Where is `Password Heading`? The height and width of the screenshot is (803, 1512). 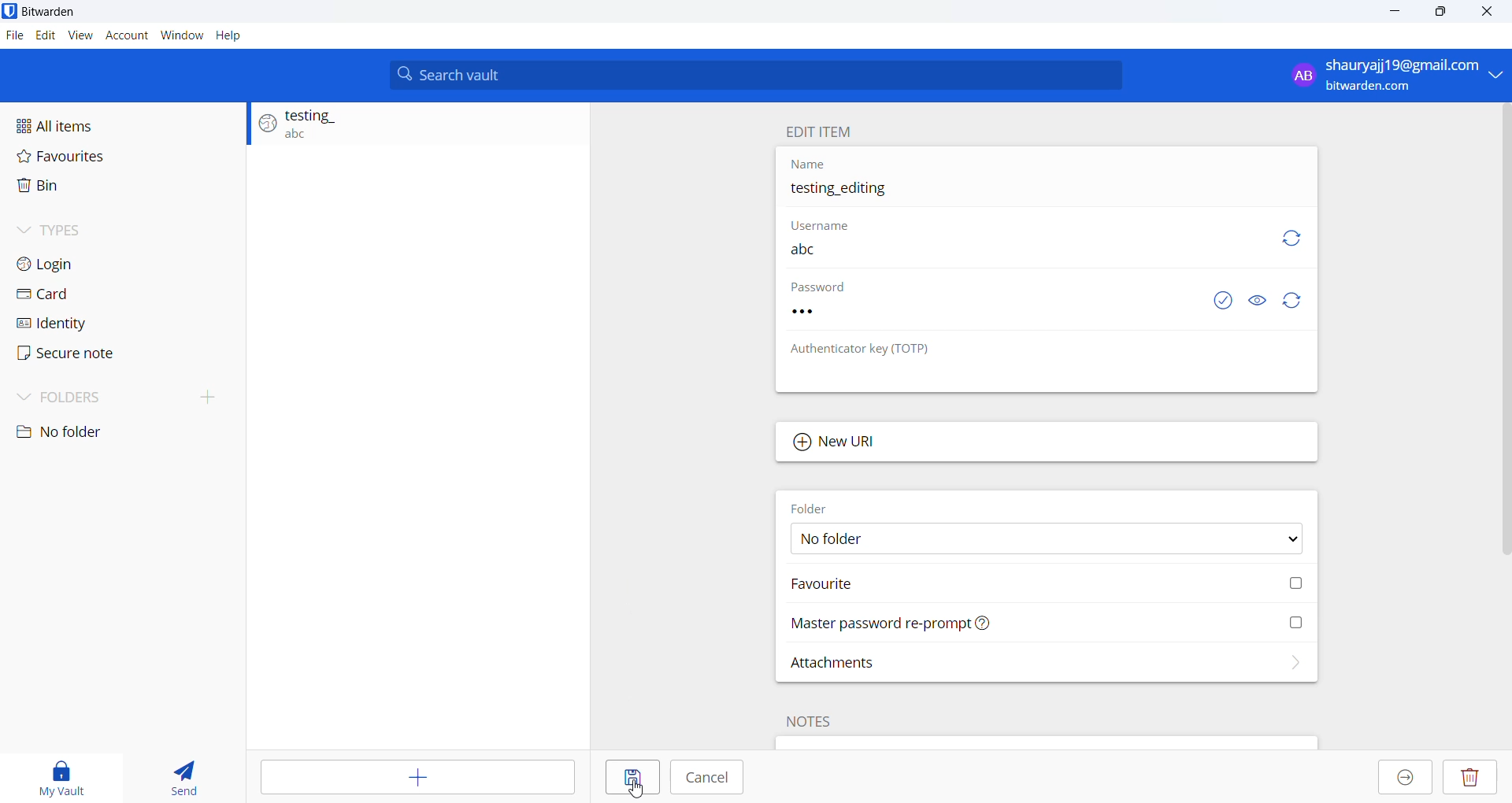
Password Heading is located at coordinates (820, 289).